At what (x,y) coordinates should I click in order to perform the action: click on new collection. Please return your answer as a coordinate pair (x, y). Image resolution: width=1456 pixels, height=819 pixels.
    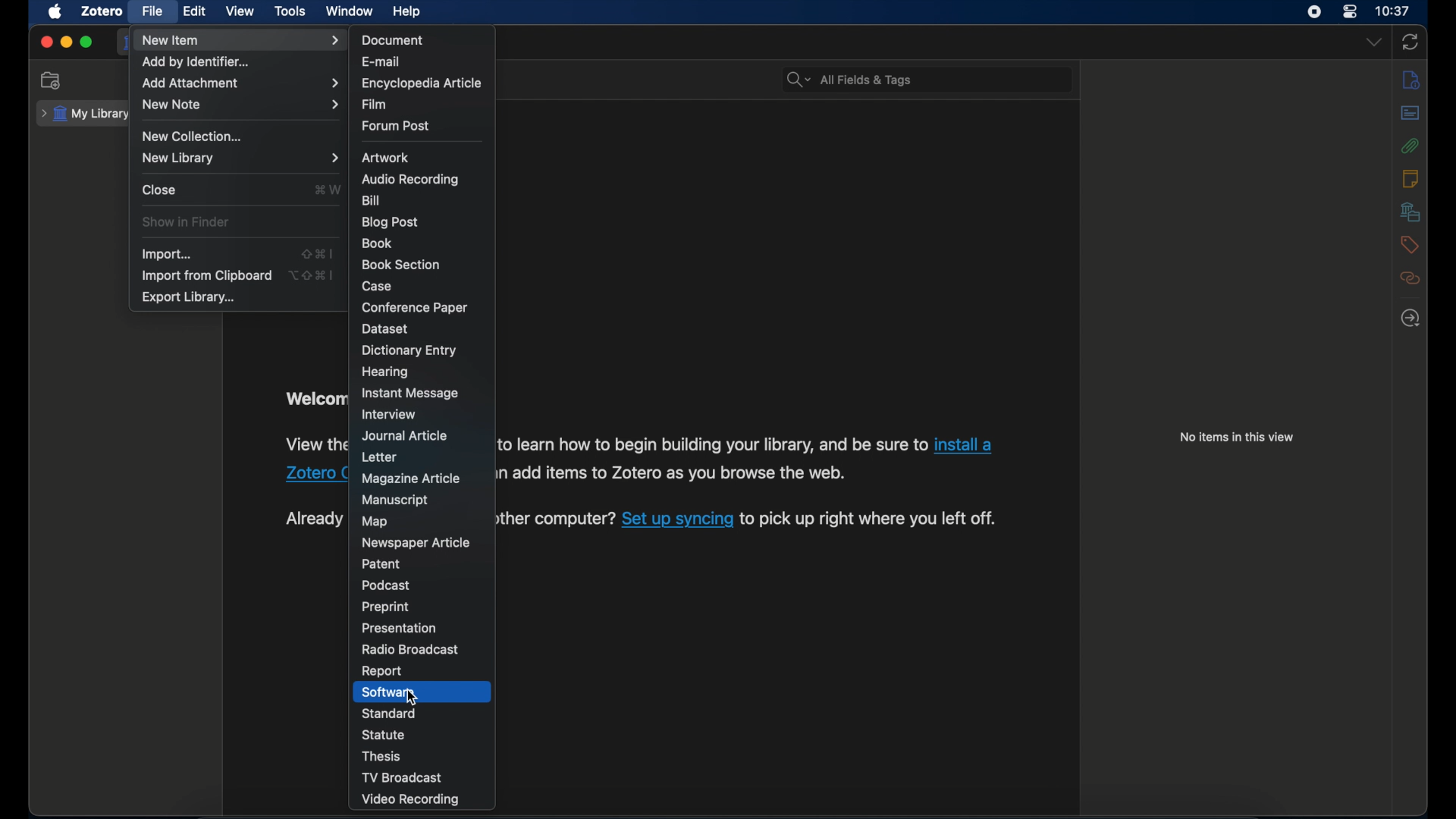
    Looking at the image, I should click on (53, 81).